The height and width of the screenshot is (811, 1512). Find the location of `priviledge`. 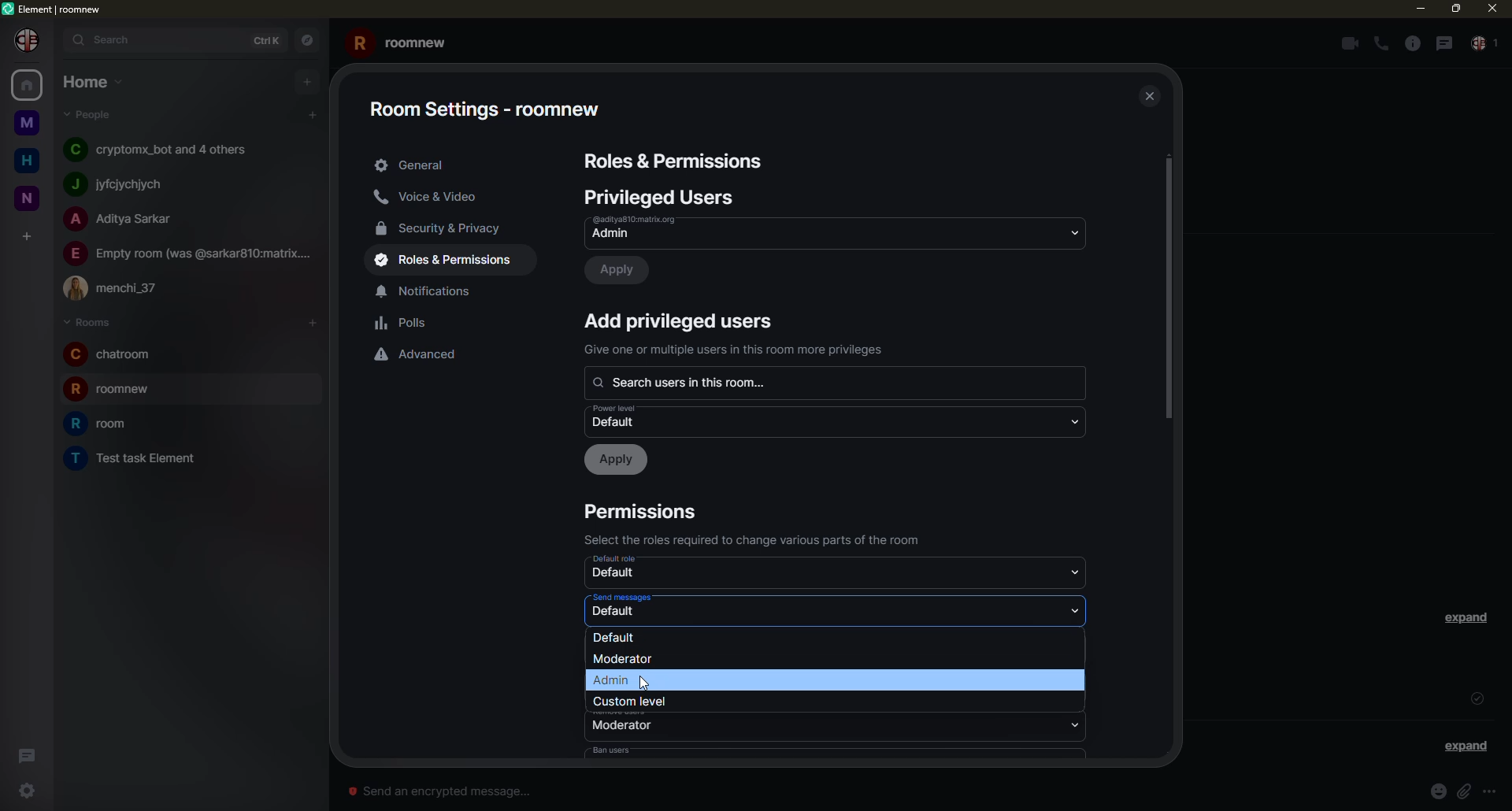

priviledge is located at coordinates (738, 350).